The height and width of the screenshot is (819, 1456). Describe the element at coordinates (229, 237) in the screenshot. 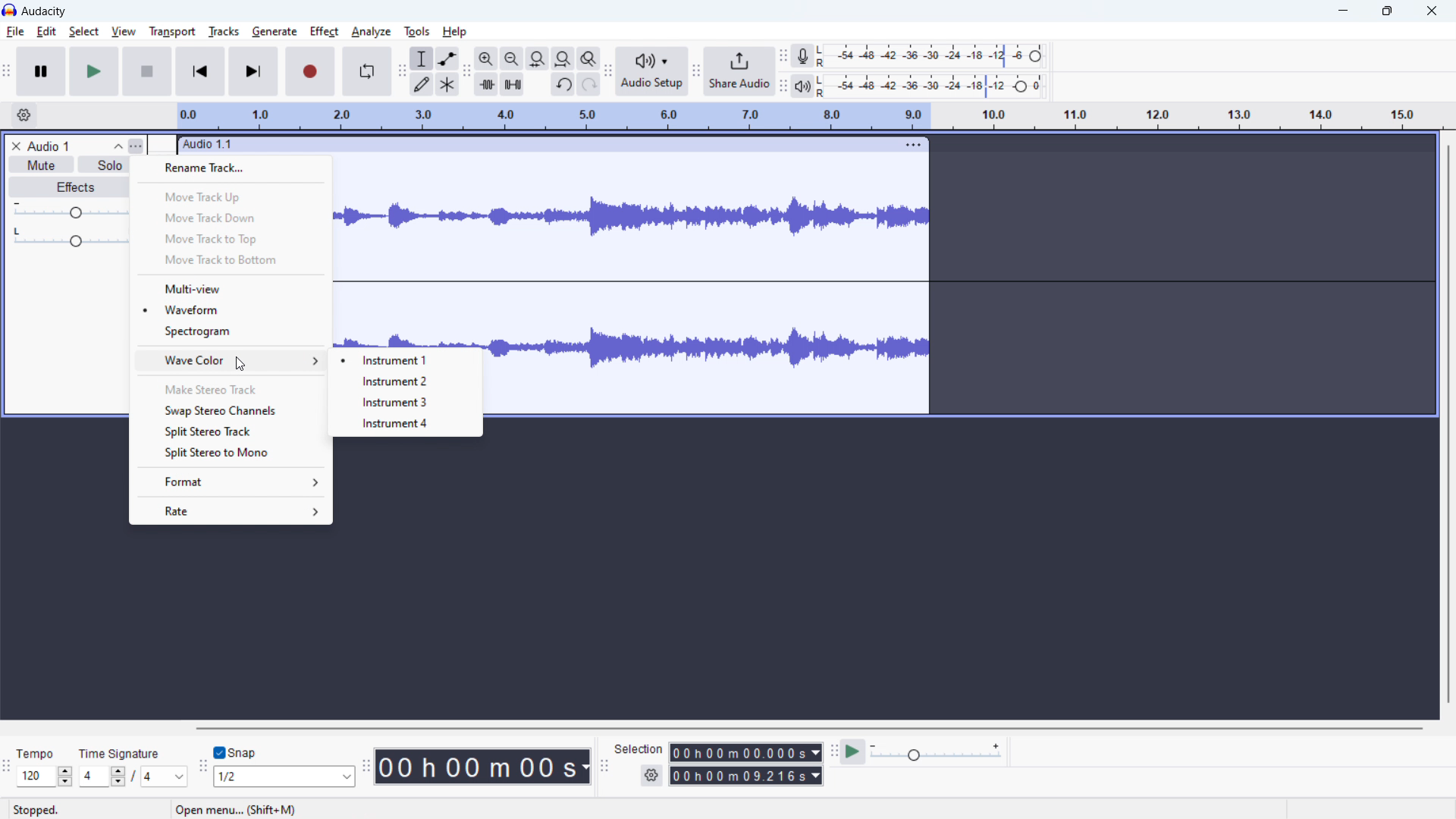

I see `move track to top` at that location.